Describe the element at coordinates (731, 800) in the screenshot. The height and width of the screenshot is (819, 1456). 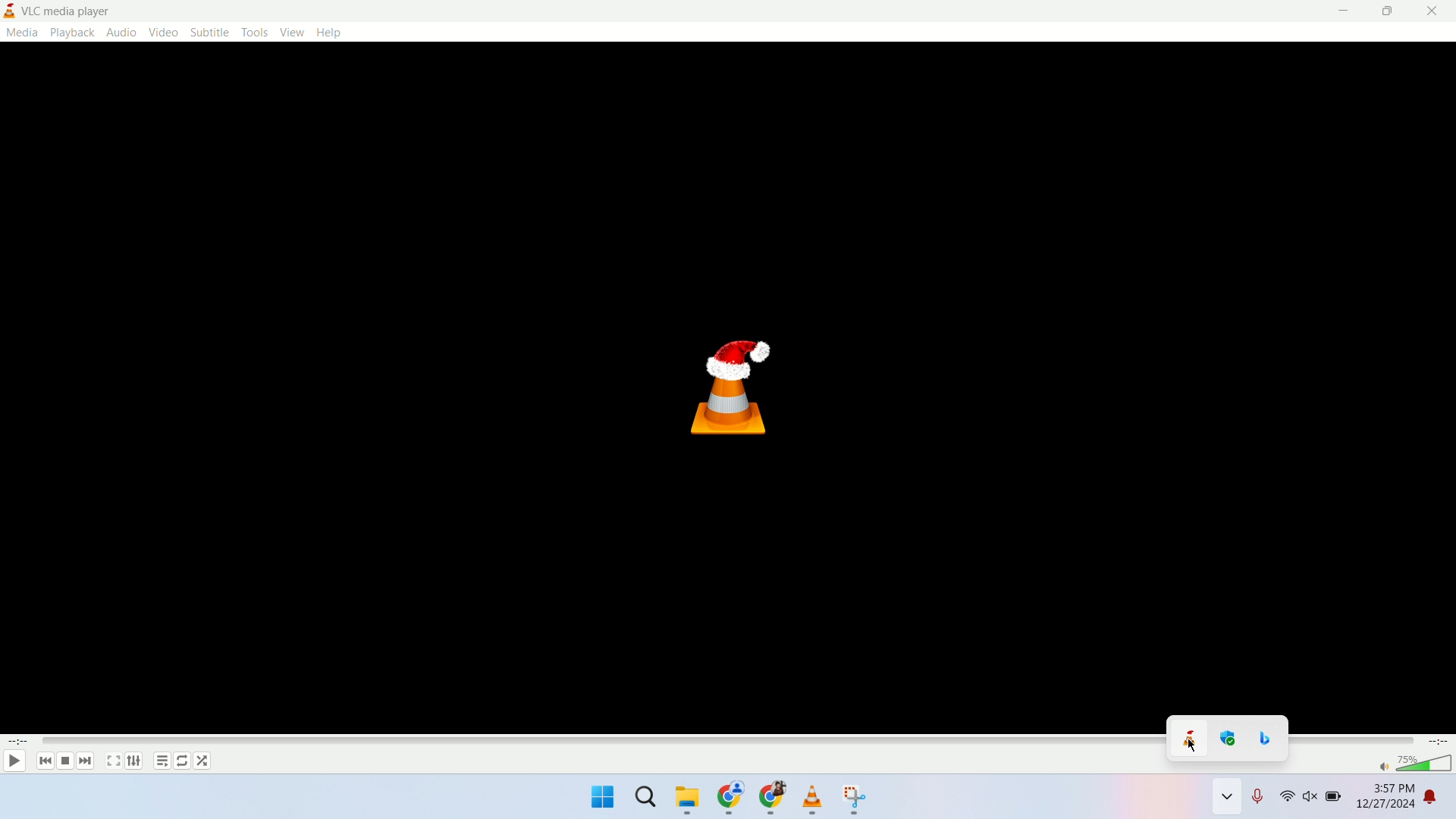
I see `chrome` at that location.